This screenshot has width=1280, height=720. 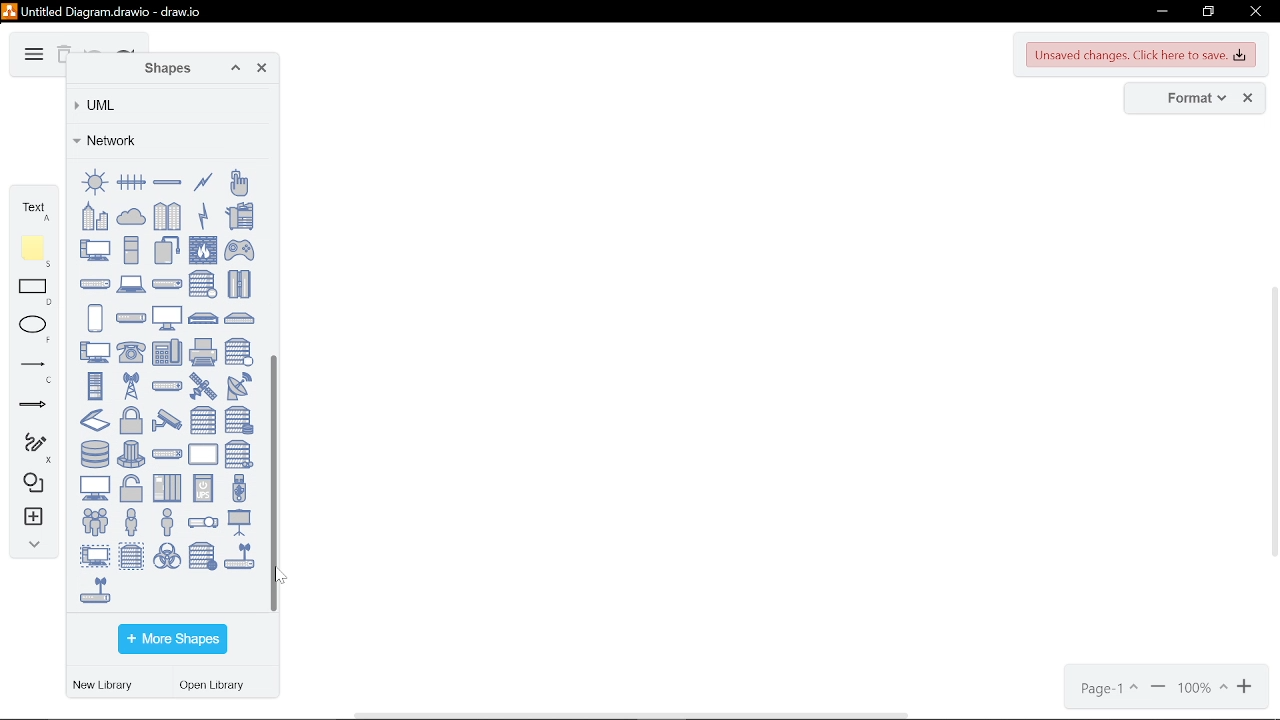 I want to click on gamepad, so click(x=240, y=250).